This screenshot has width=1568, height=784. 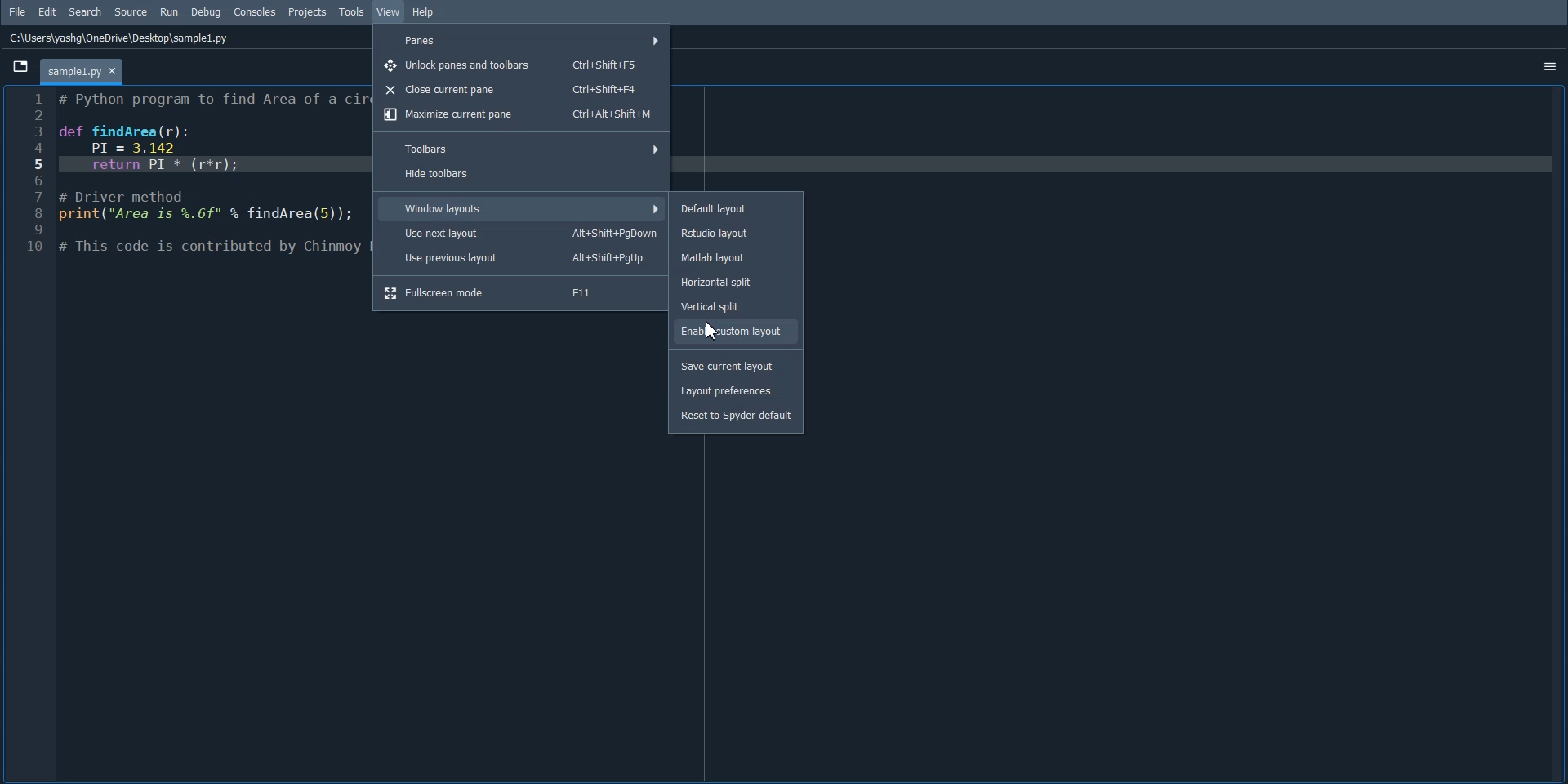 I want to click on File path address, so click(x=120, y=38).